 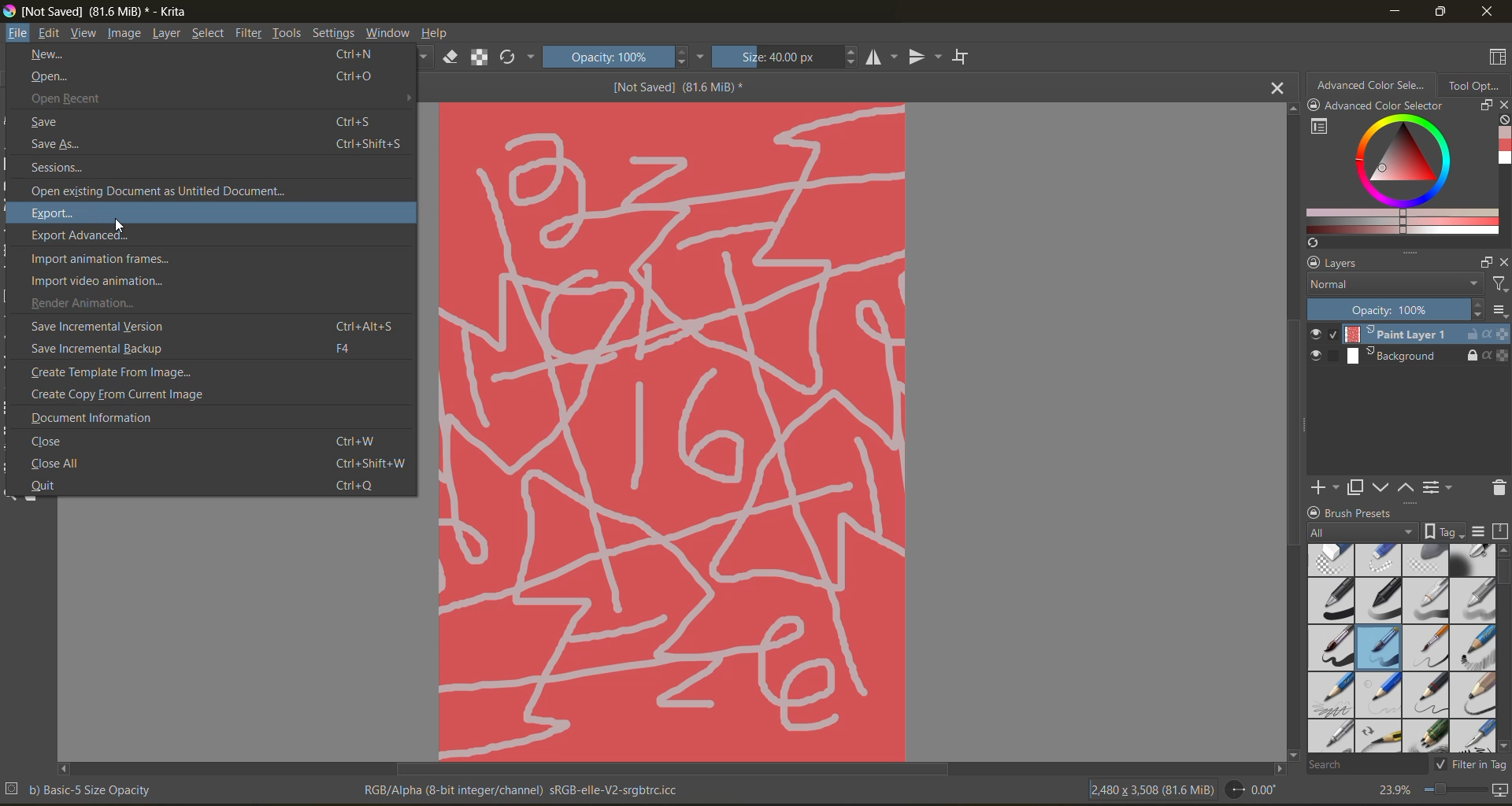 I want to click on Refresh, so click(x=1310, y=242).